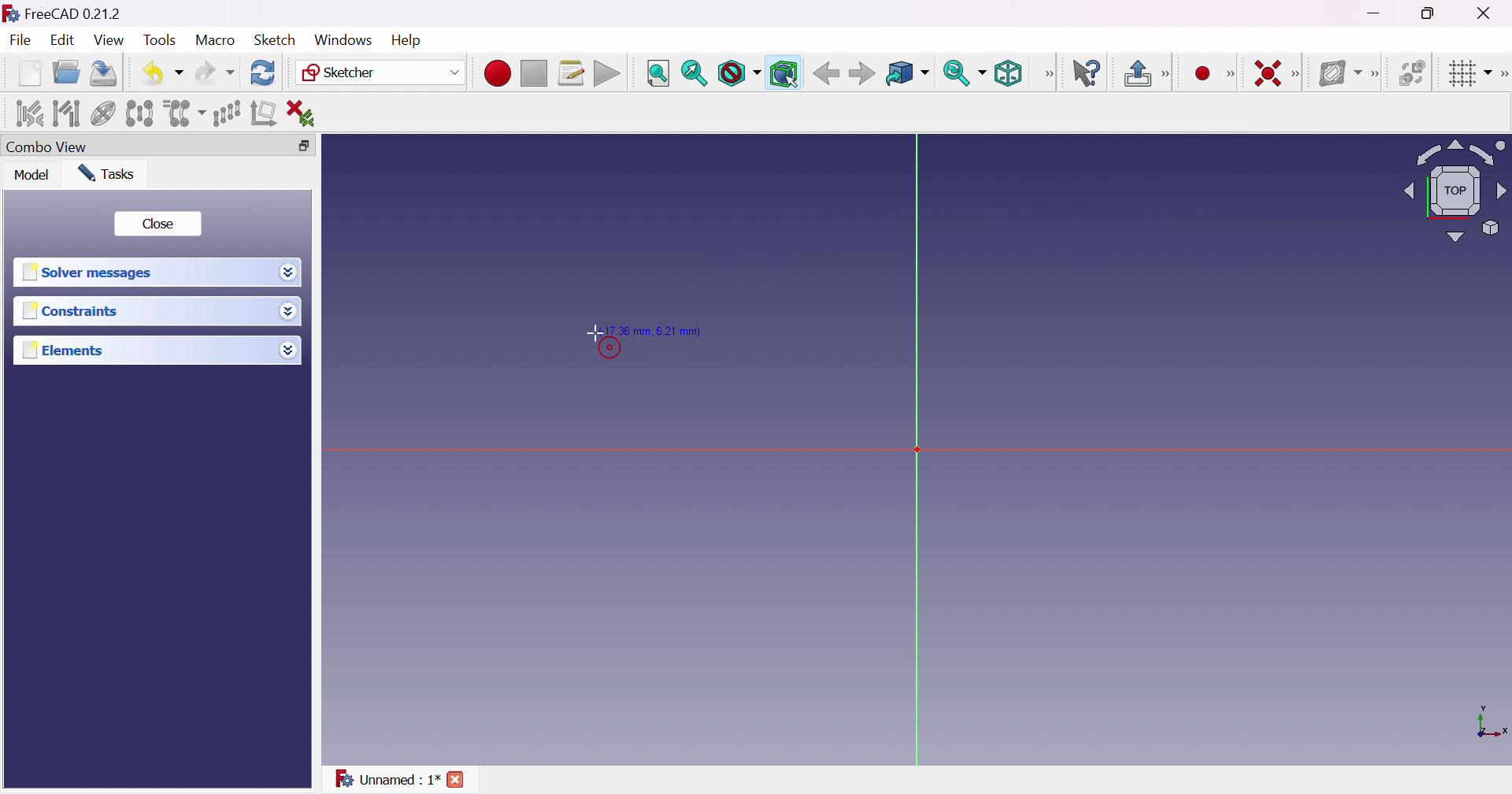 The height and width of the screenshot is (794, 1512). Describe the element at coordinates (291, 311) in the screenshot. I see `Drop down` at that location.